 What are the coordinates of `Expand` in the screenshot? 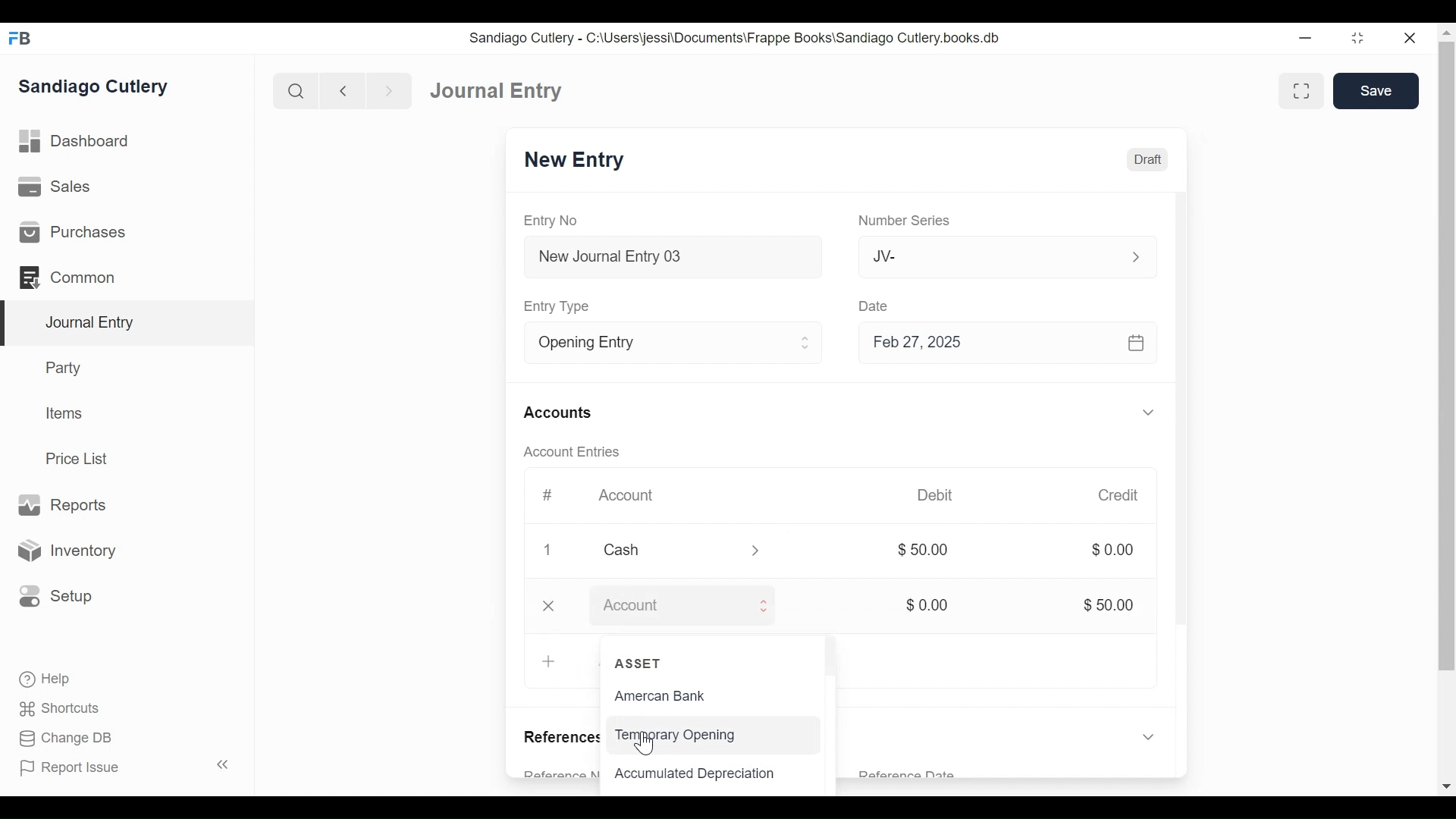 It's located at (1136, 256).